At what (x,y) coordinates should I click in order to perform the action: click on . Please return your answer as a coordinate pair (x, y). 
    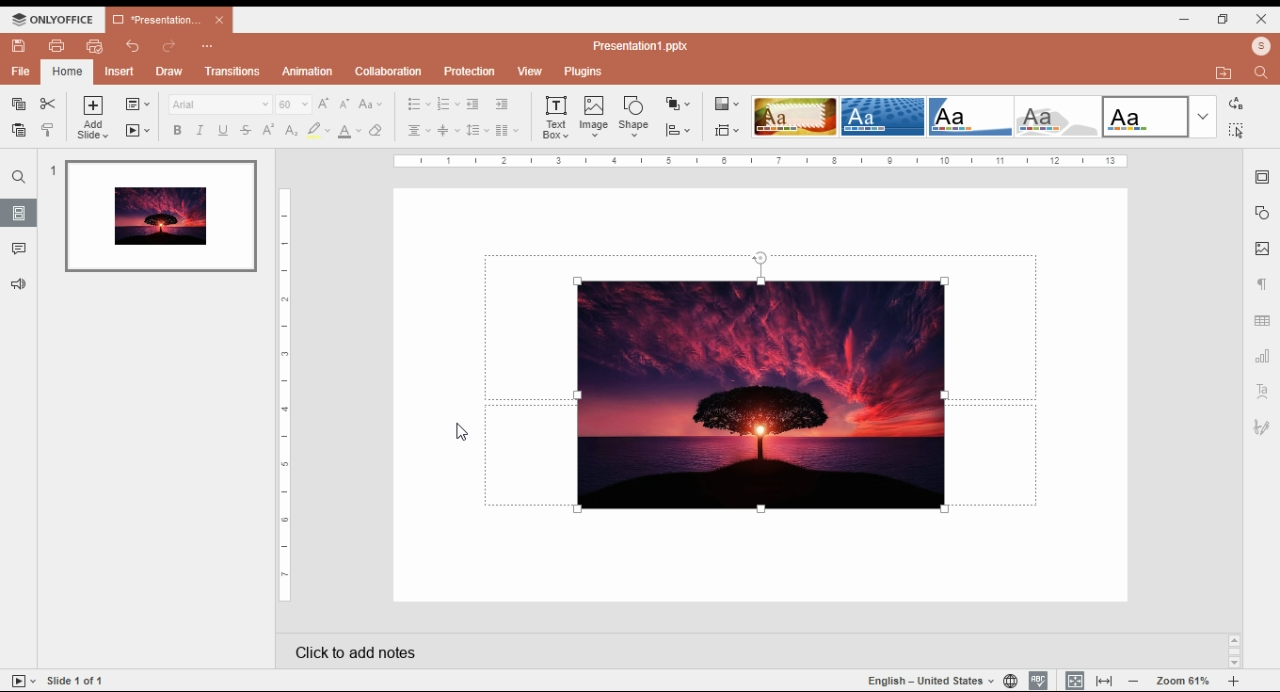
    Looking at the image, I should click on (1261, 427).